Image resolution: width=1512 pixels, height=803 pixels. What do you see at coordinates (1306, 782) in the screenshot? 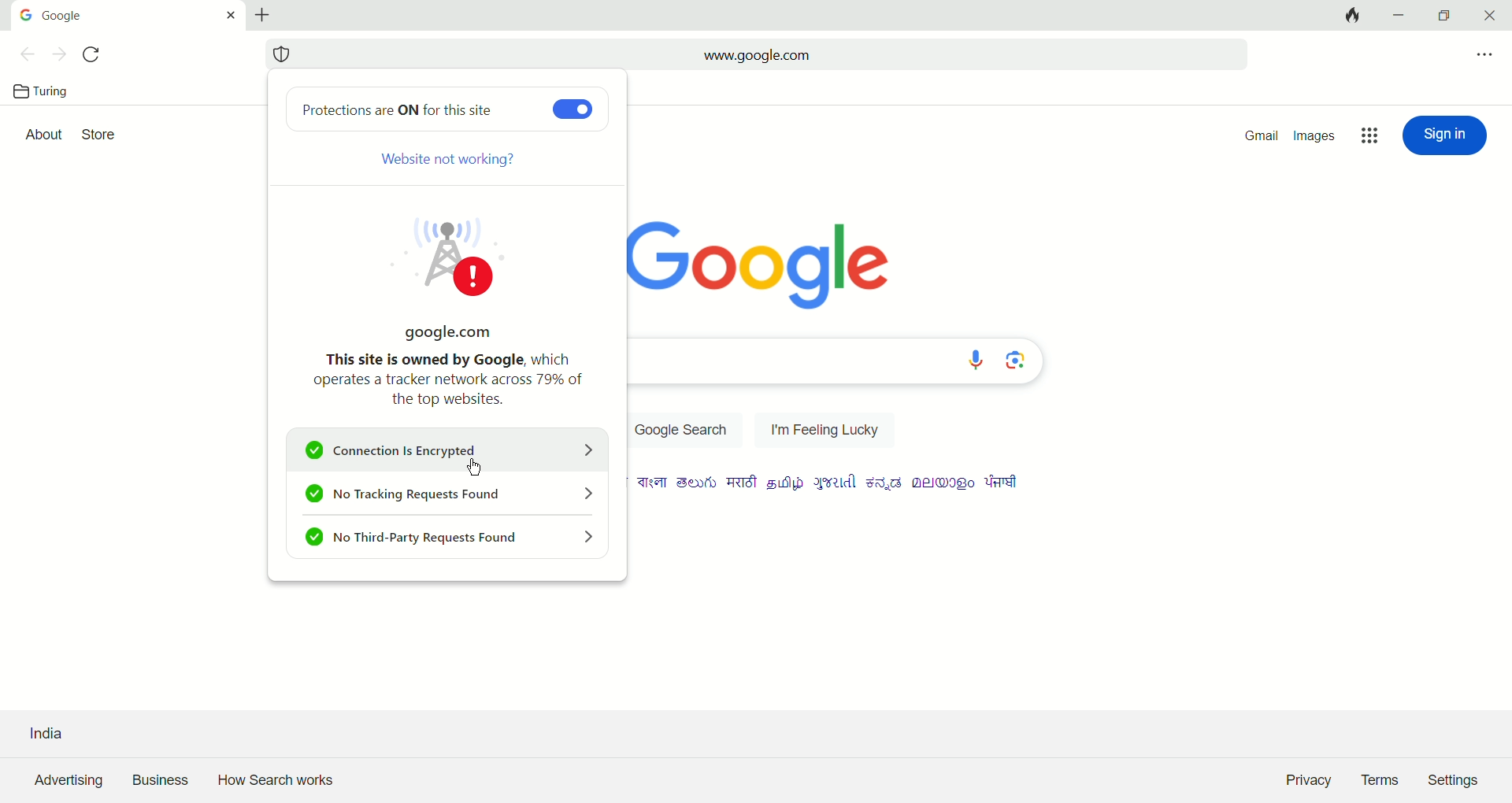
I see `Privacy` at bounding box center [1306, 782].